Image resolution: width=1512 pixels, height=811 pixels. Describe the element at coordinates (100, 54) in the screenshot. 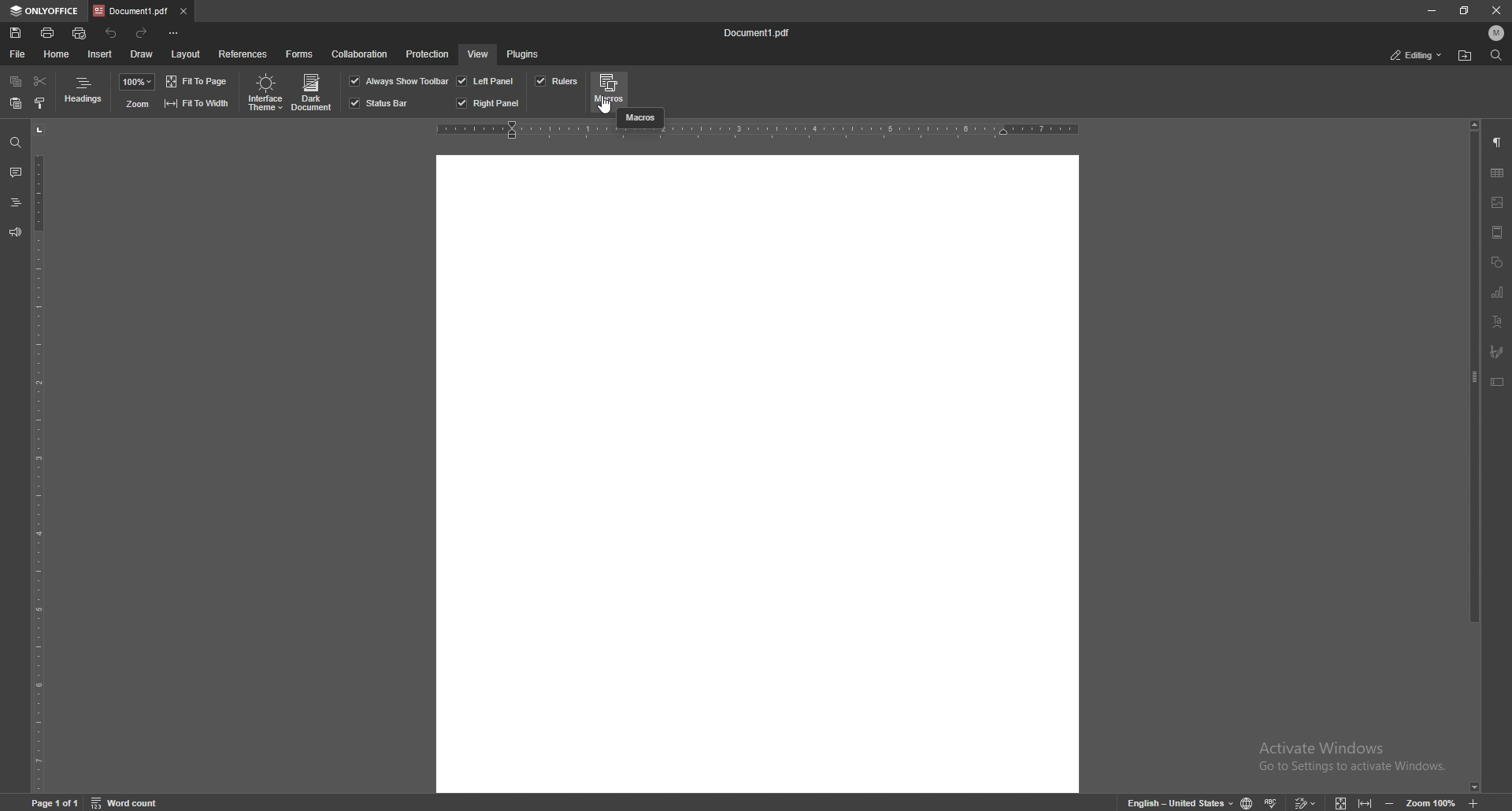

I see `insert` at that location.